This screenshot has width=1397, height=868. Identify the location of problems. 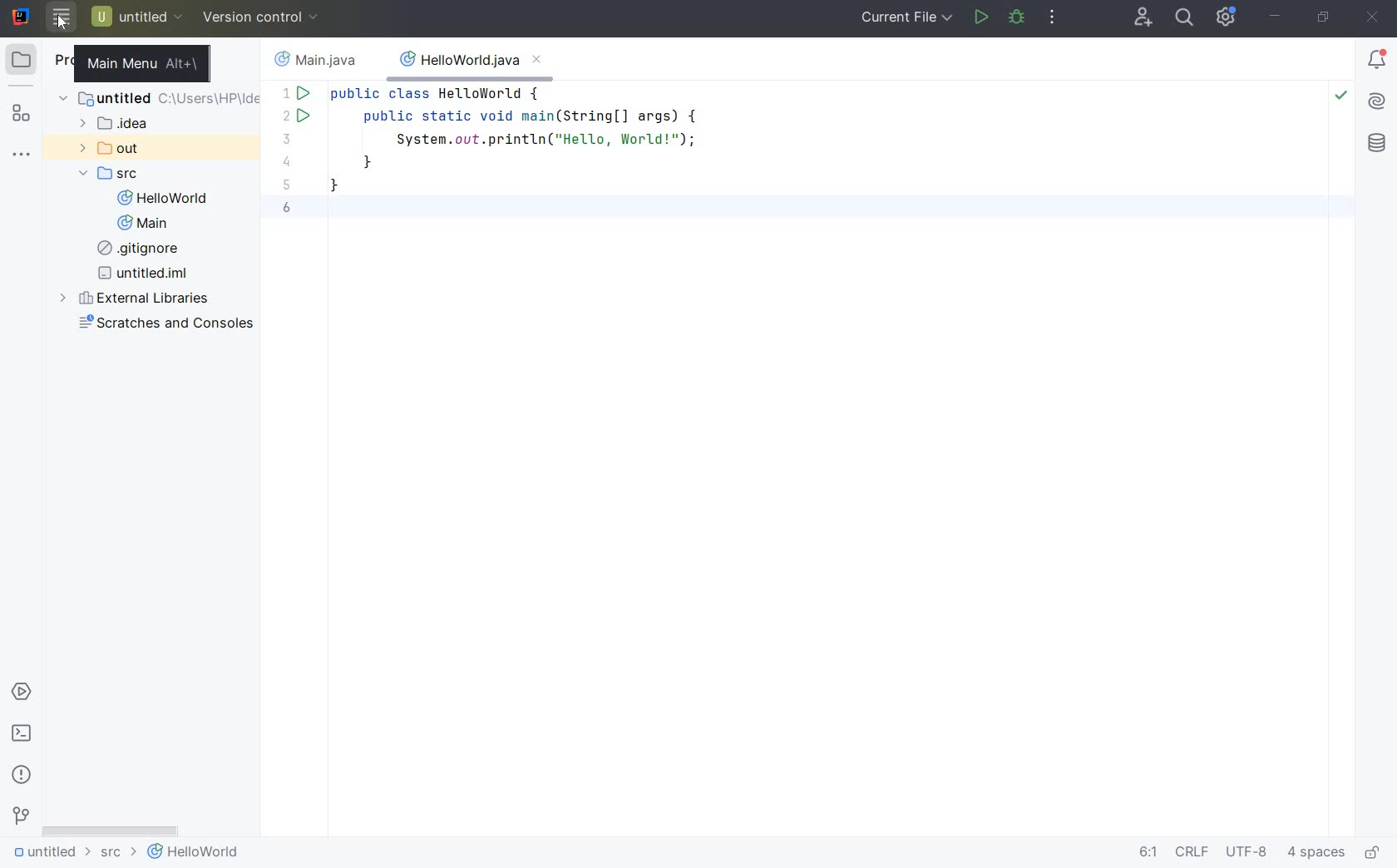
(22, 774).